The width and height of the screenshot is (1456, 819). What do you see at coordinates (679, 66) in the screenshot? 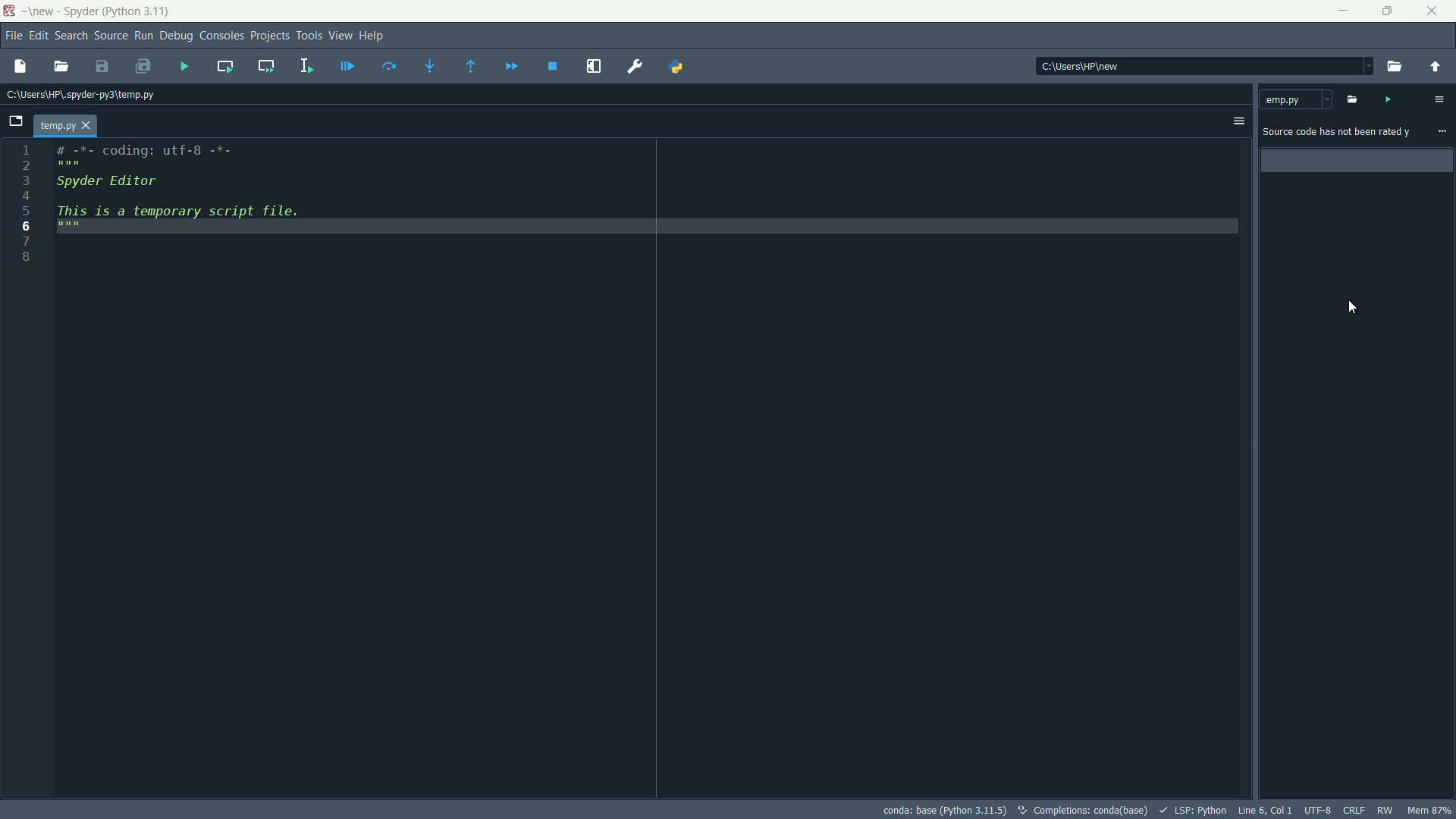
I see `python path manager` at bounding box center [679, 66].